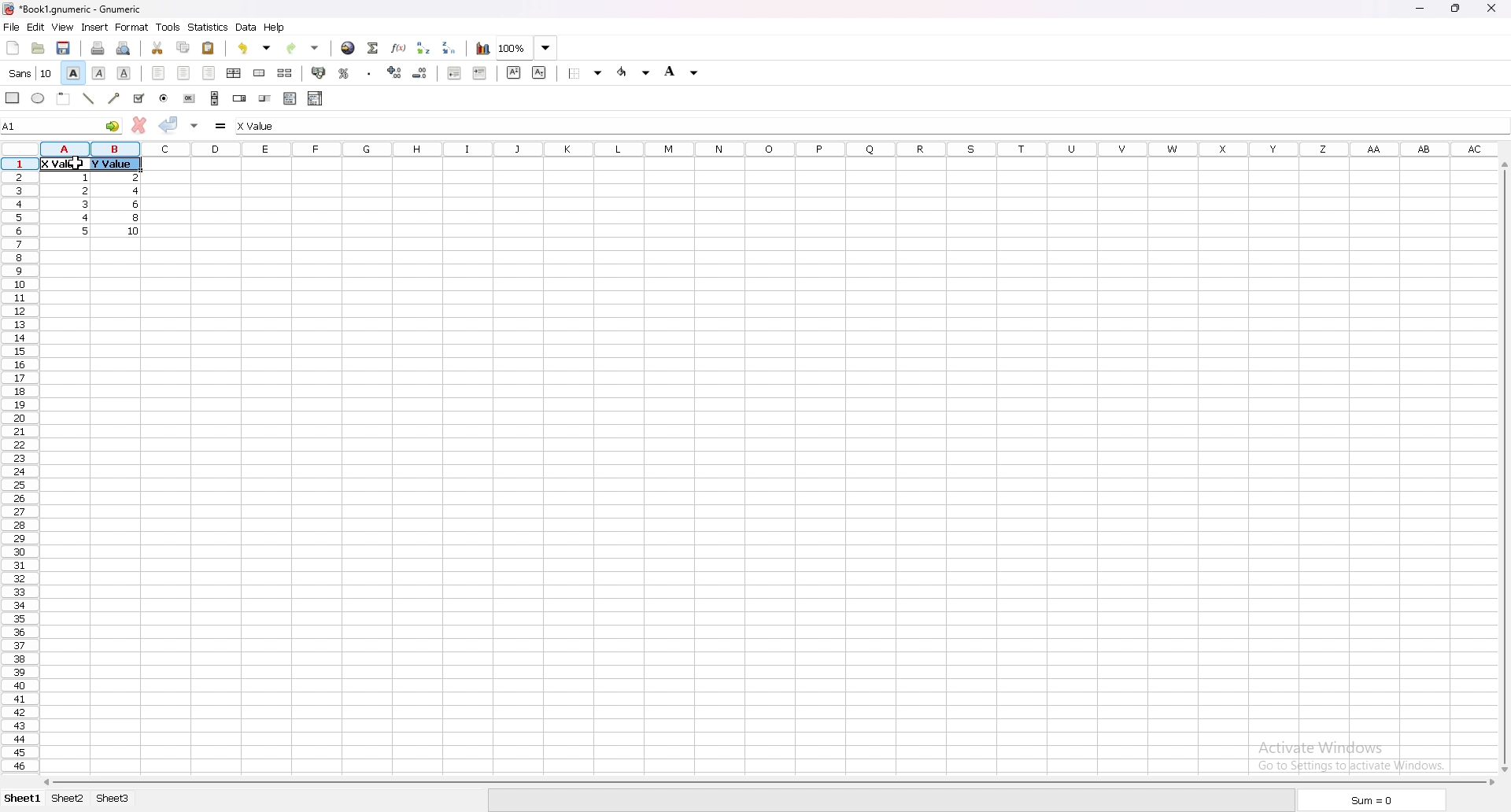 This screenshot has height=812, width=1511. I want to click on underline, so click(124, 73).